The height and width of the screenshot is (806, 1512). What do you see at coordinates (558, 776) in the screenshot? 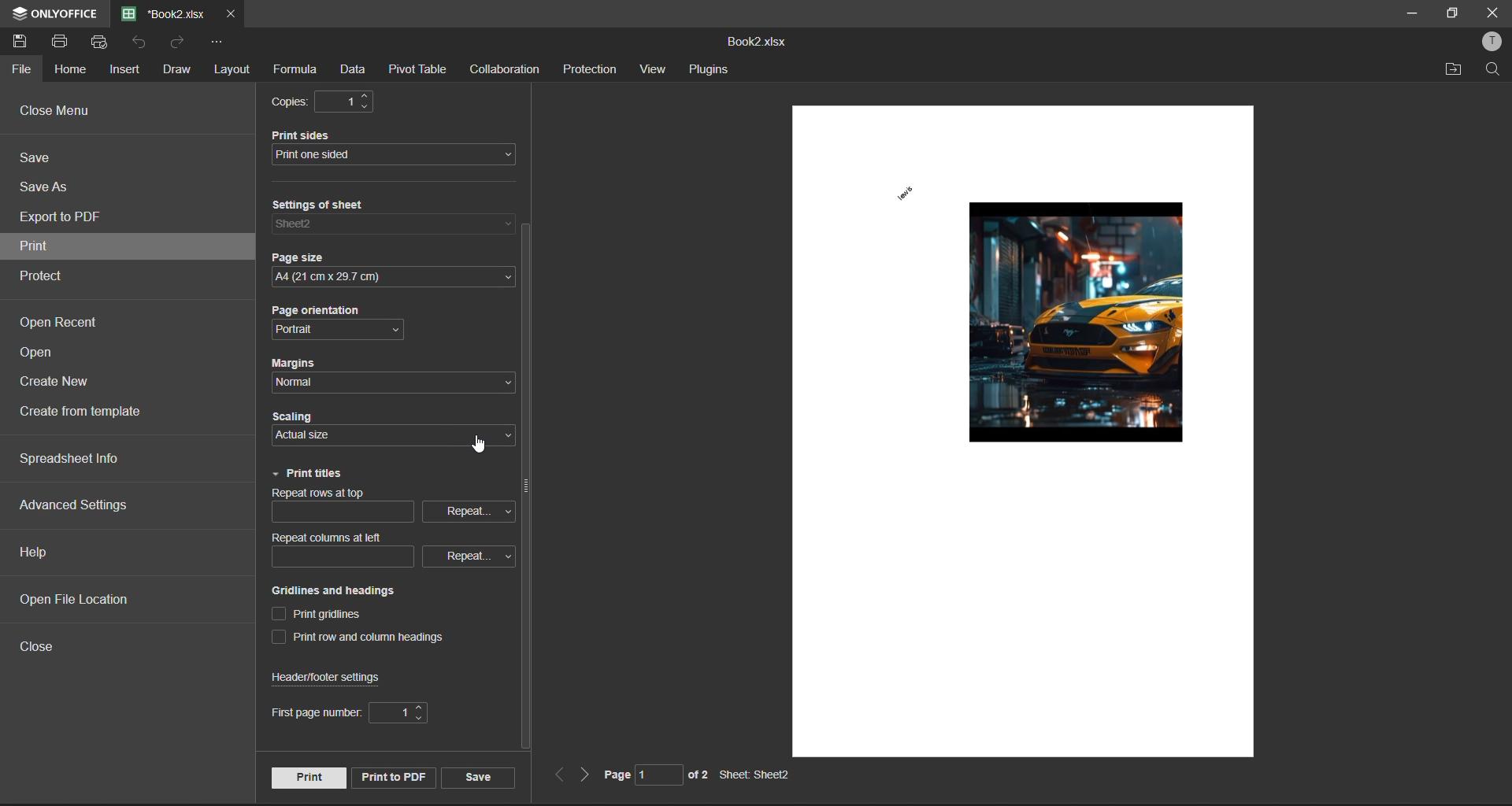
I see `previous page` at bounding box center [558, 776].